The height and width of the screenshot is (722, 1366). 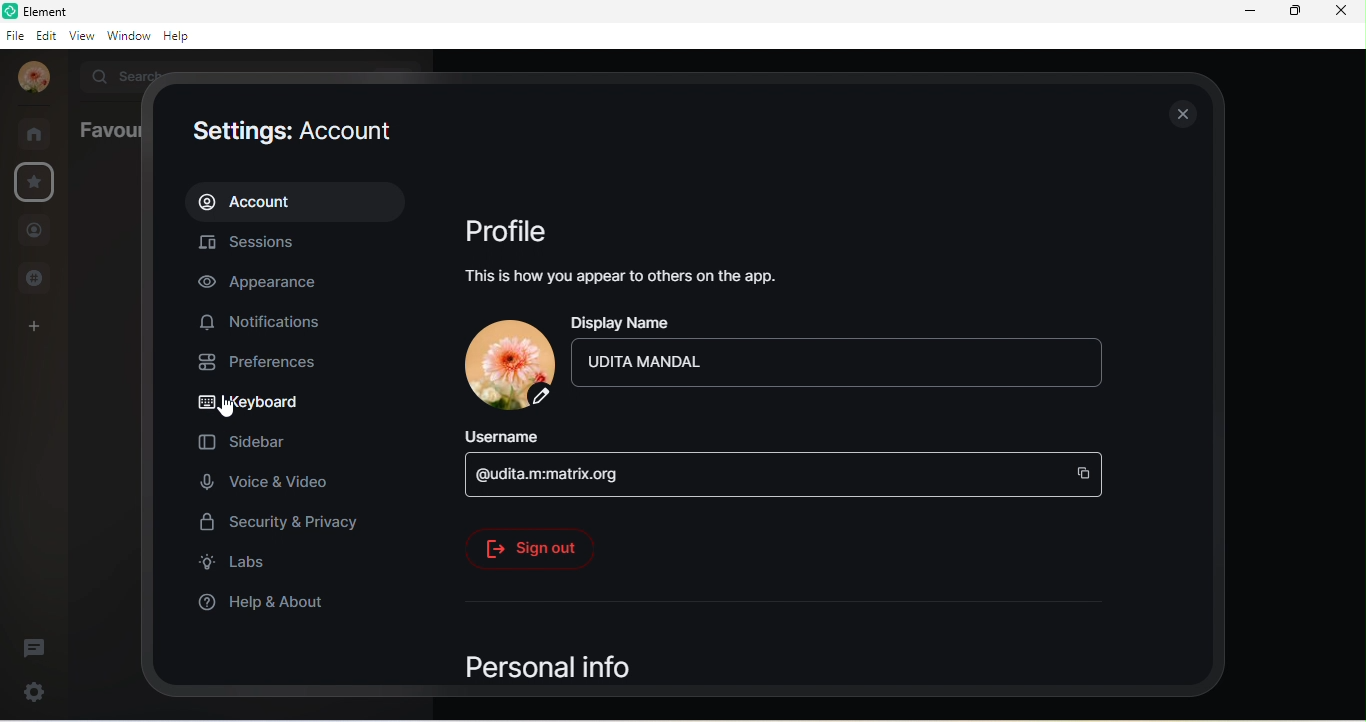 What do you see at coordinates (290, 524) in the screenshot?
I see `security and privacy` at bounding box center [290, 524].